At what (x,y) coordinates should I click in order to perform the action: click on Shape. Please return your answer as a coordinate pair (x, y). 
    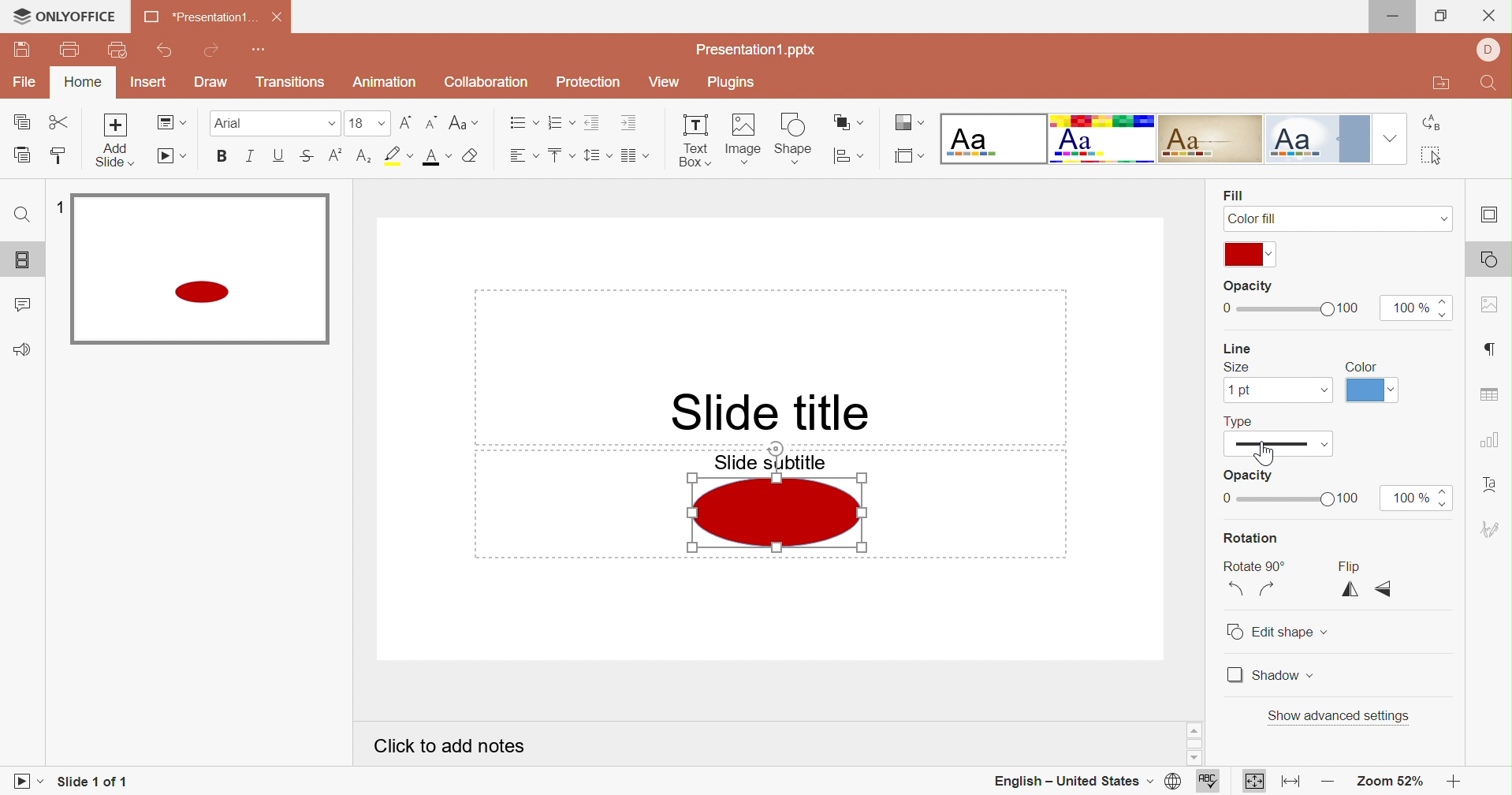
    Looking at the image, I should click on (776, 513).